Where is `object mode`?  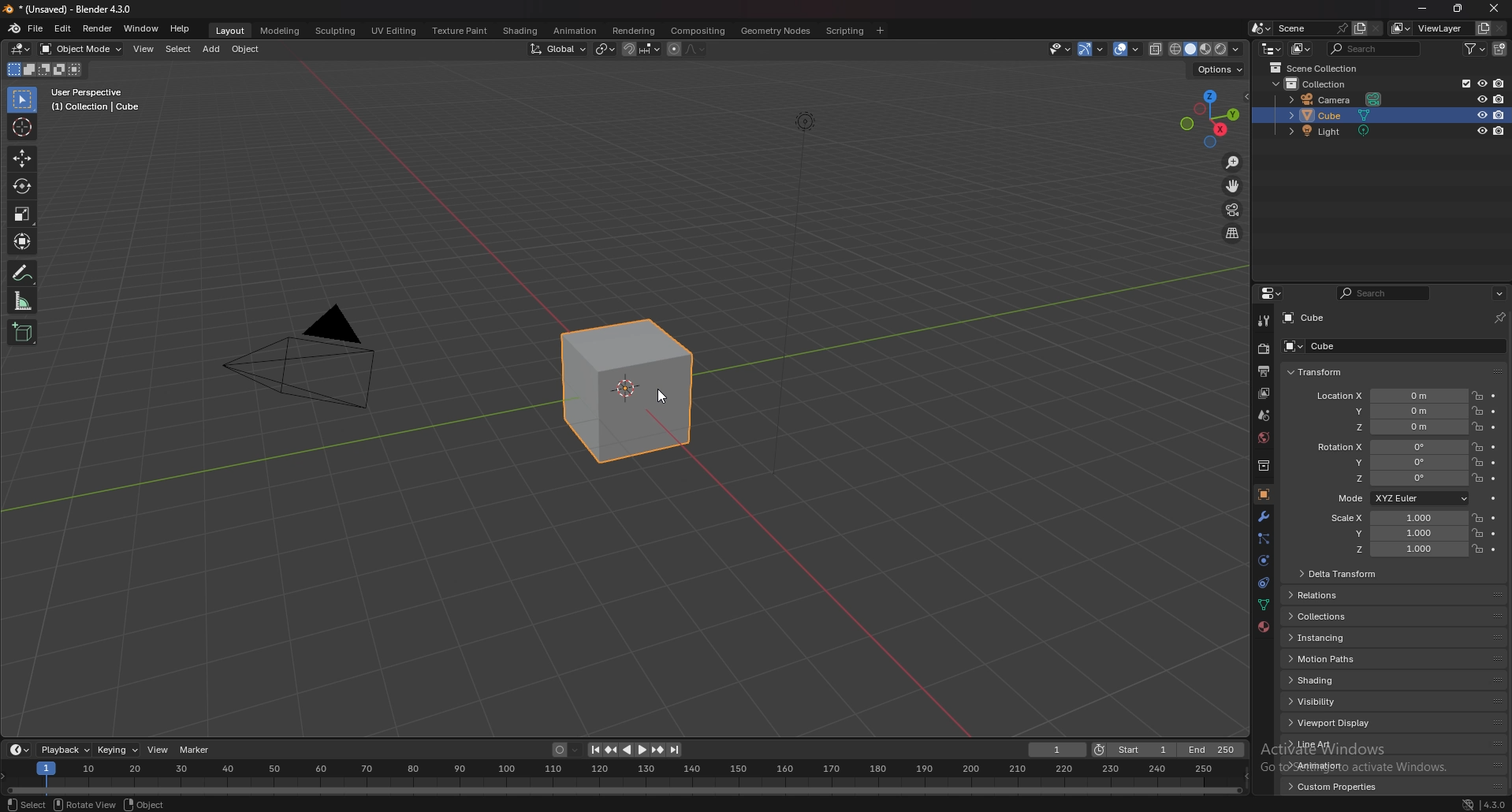
object mode is located at coordinates (81, 49).